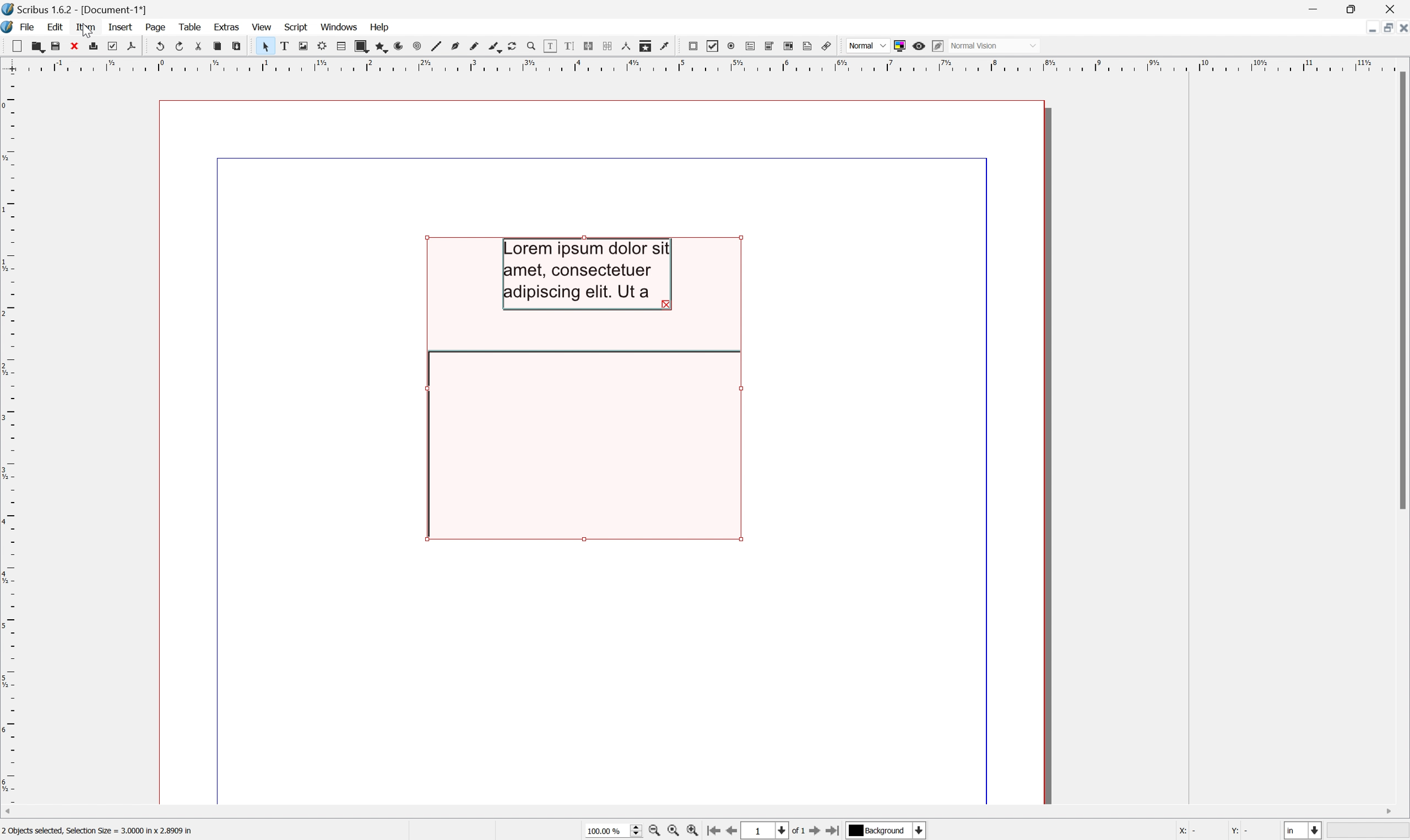 This screenshot has width=1410, height=840. What do you see at coordinates (627, 46) in the screenshot?
I see `Measurements` at bounding box center [627, 46].